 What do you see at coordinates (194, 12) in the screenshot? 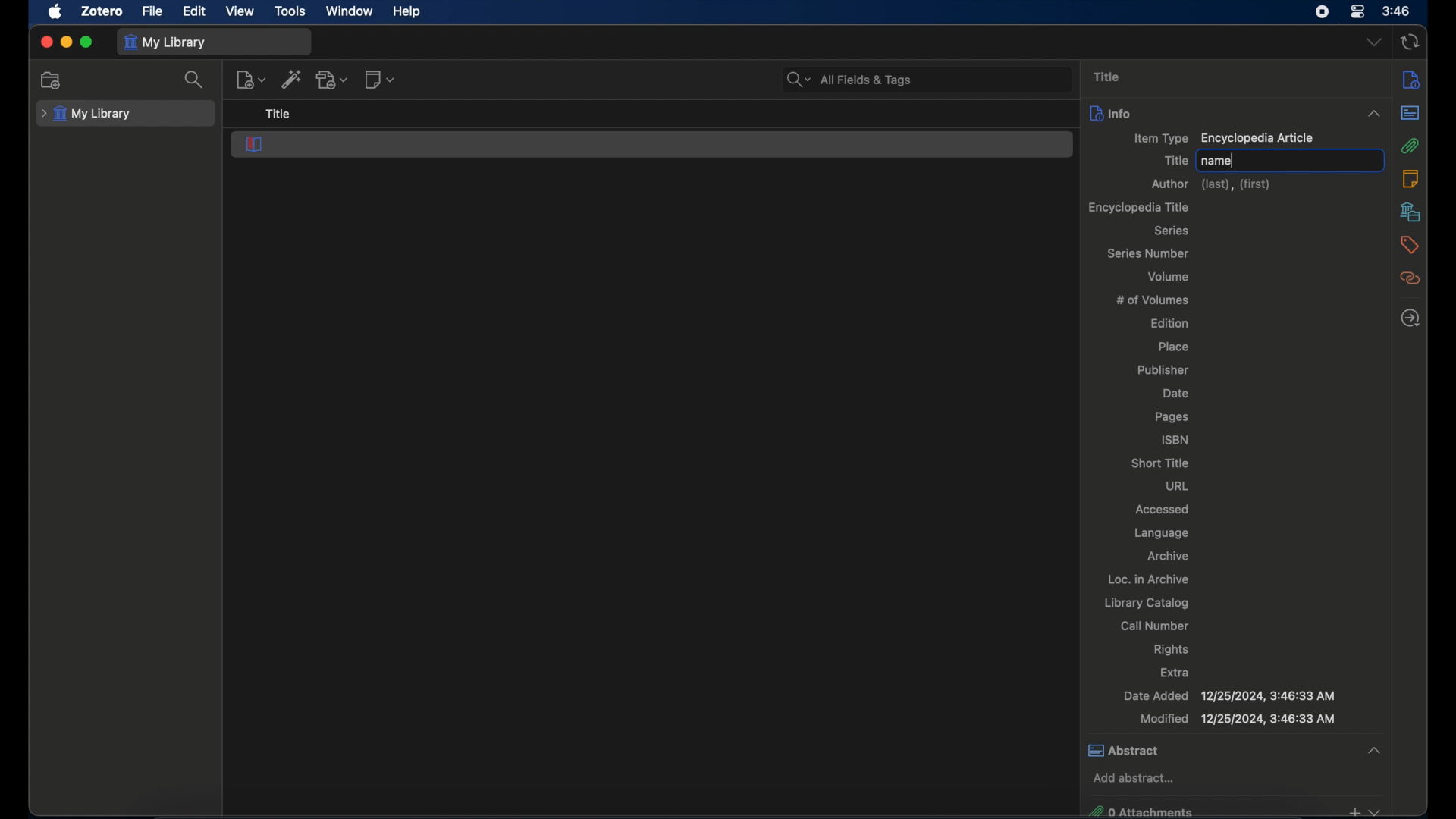
I see `edit` at bounding box center [194, 12].